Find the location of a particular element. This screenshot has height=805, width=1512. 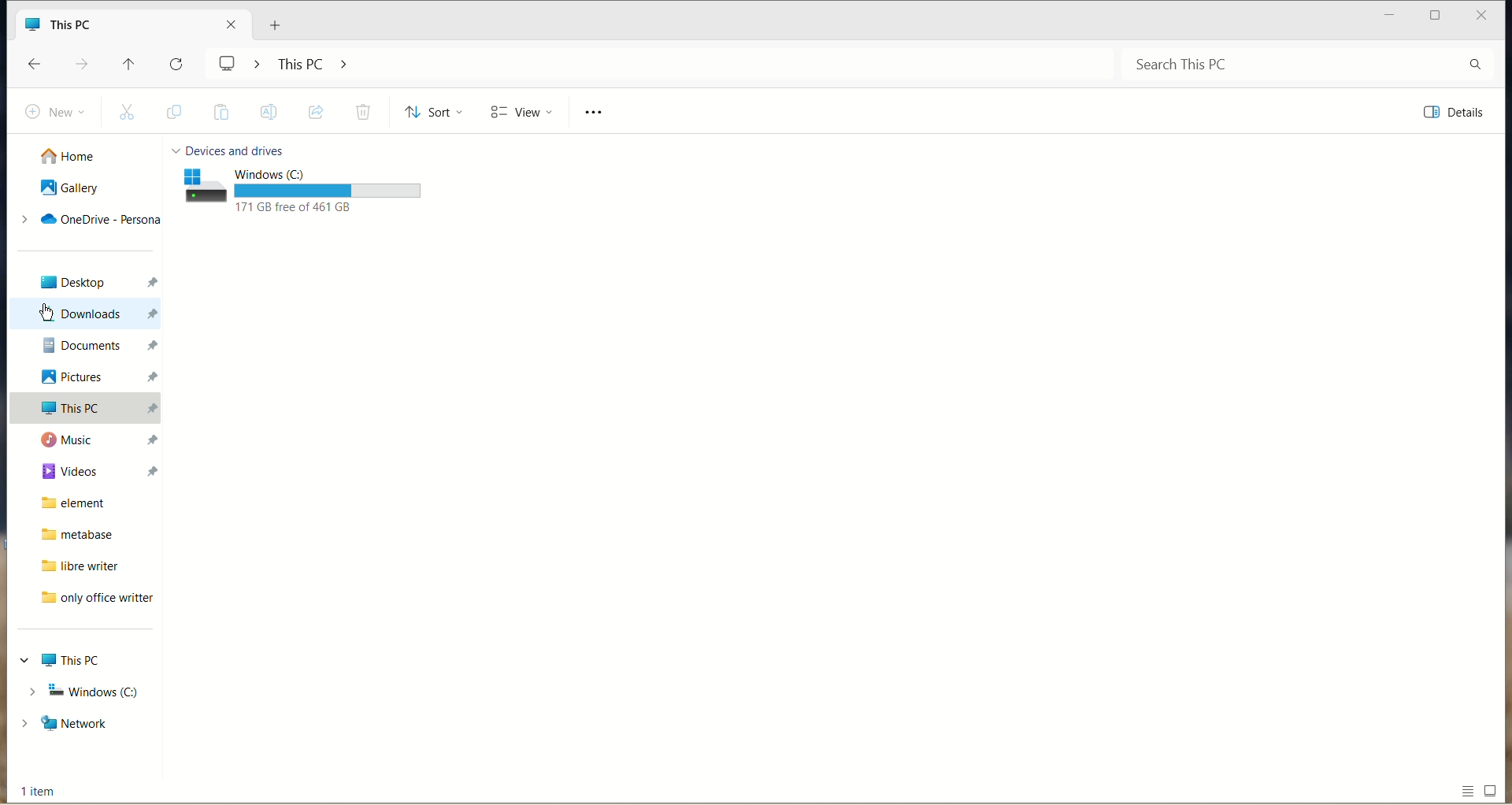

onedrive is located at coordinates (91, 221).